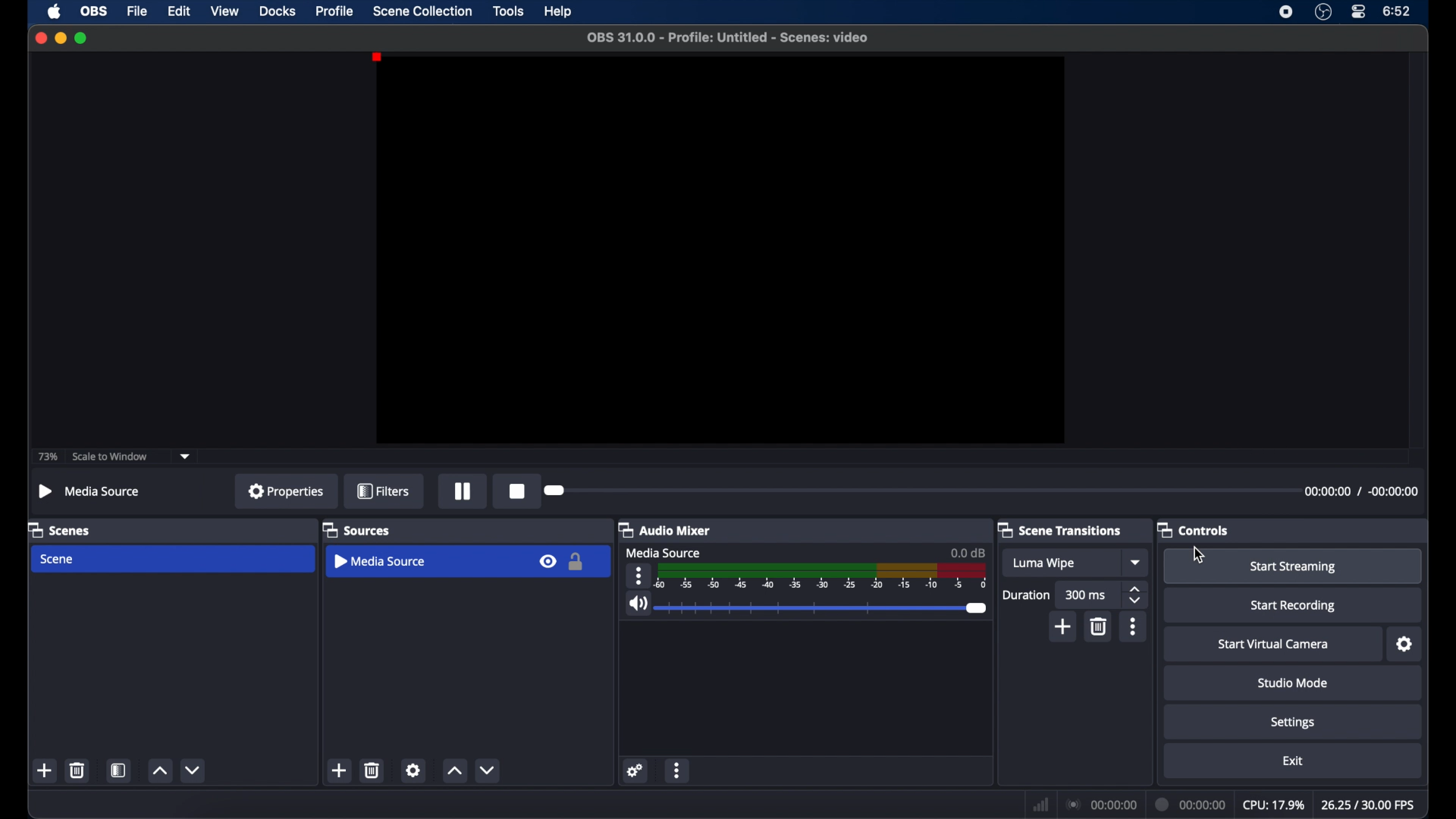  Describe the element at coordinates (111, 457) in the screenshot. I see `scale to window` at that location.